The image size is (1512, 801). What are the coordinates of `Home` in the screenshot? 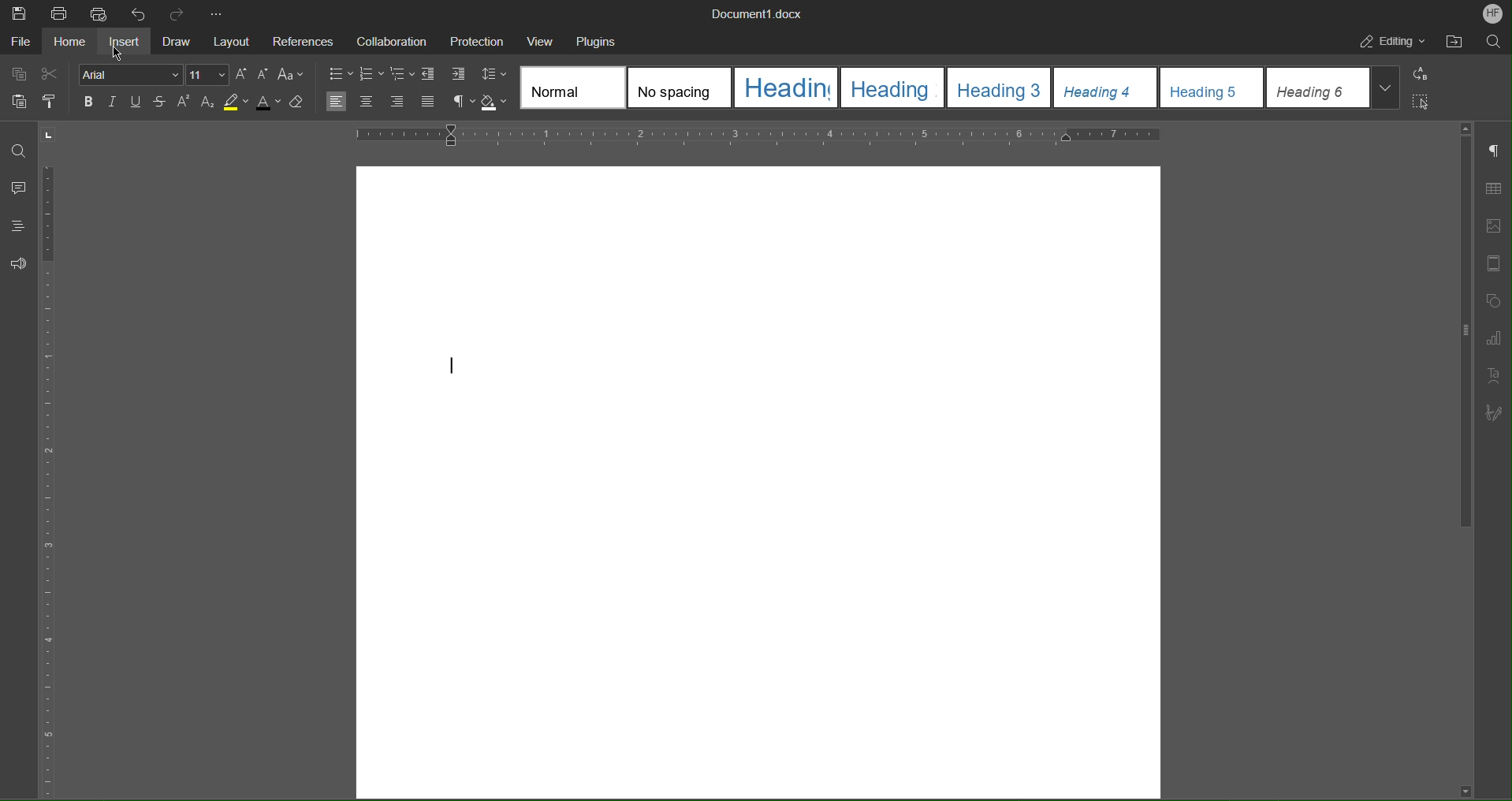 It's located at (69, 39).